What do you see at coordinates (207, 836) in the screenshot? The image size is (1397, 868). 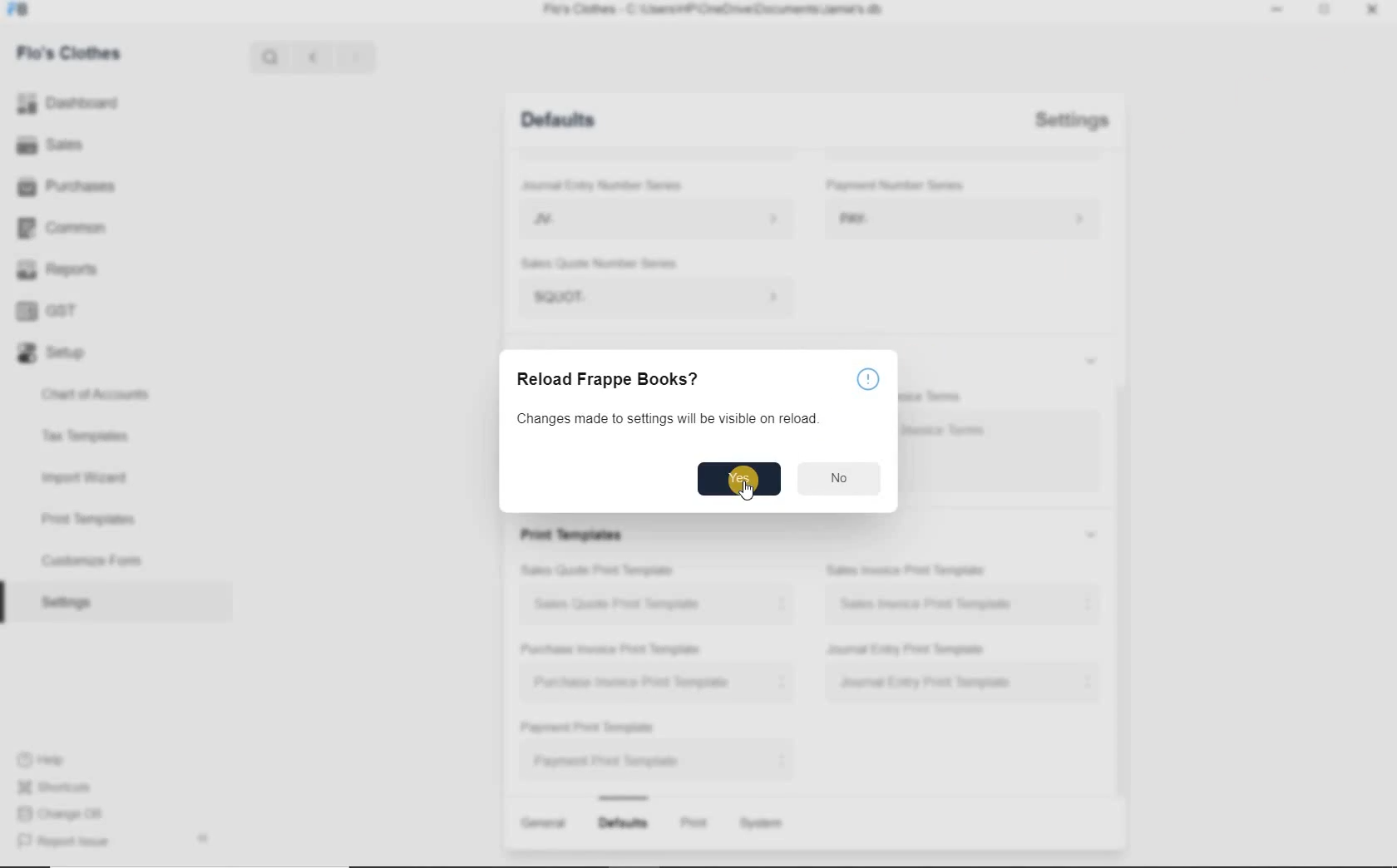 I see `Arrow` at bounding box center [207, 836].